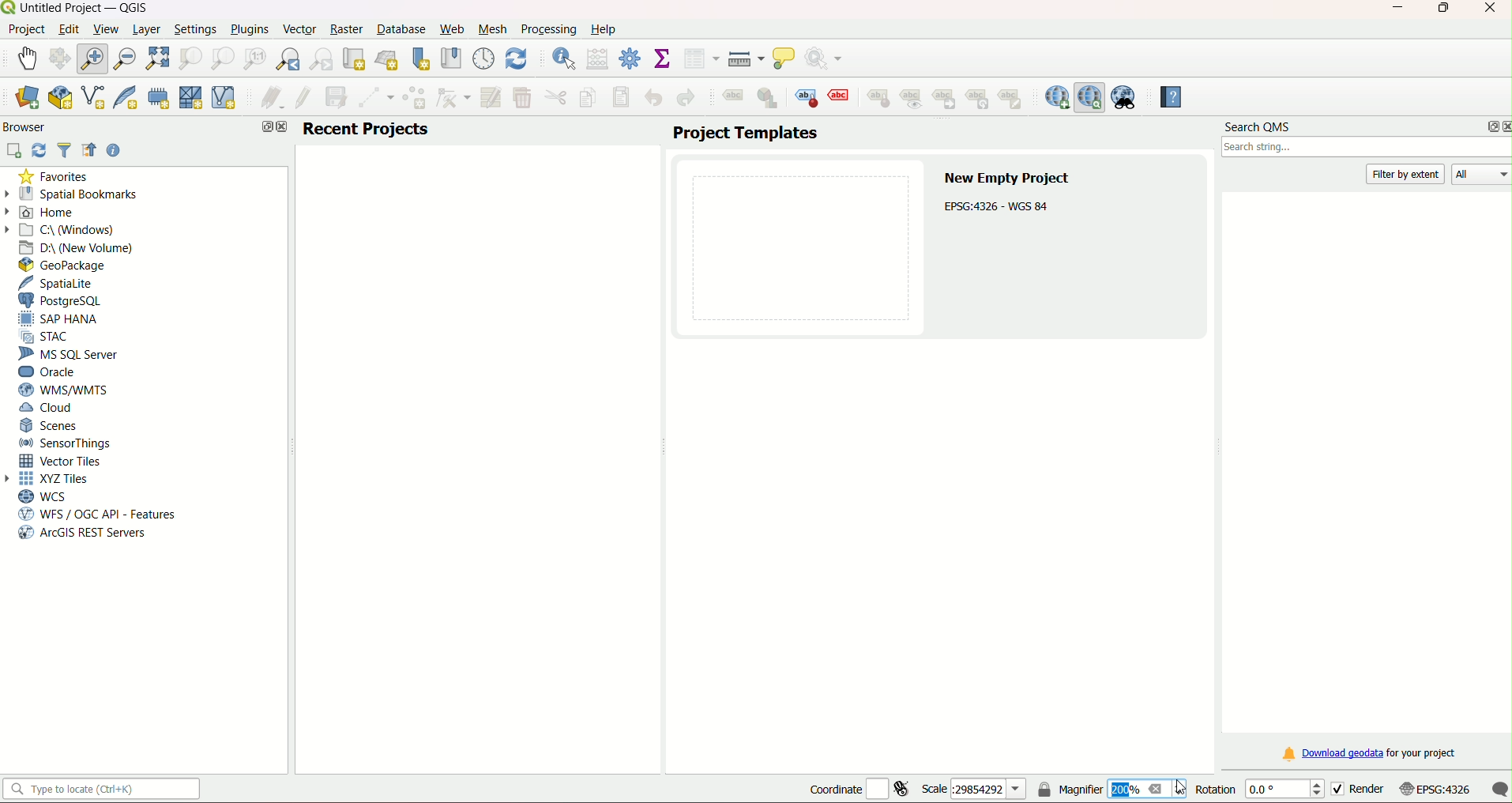 Image resolution: width=1512 pixels, height=803 pixels. Describe the element at coordinates (248, 30) in the screenshot. I see `Plugins` at that location.